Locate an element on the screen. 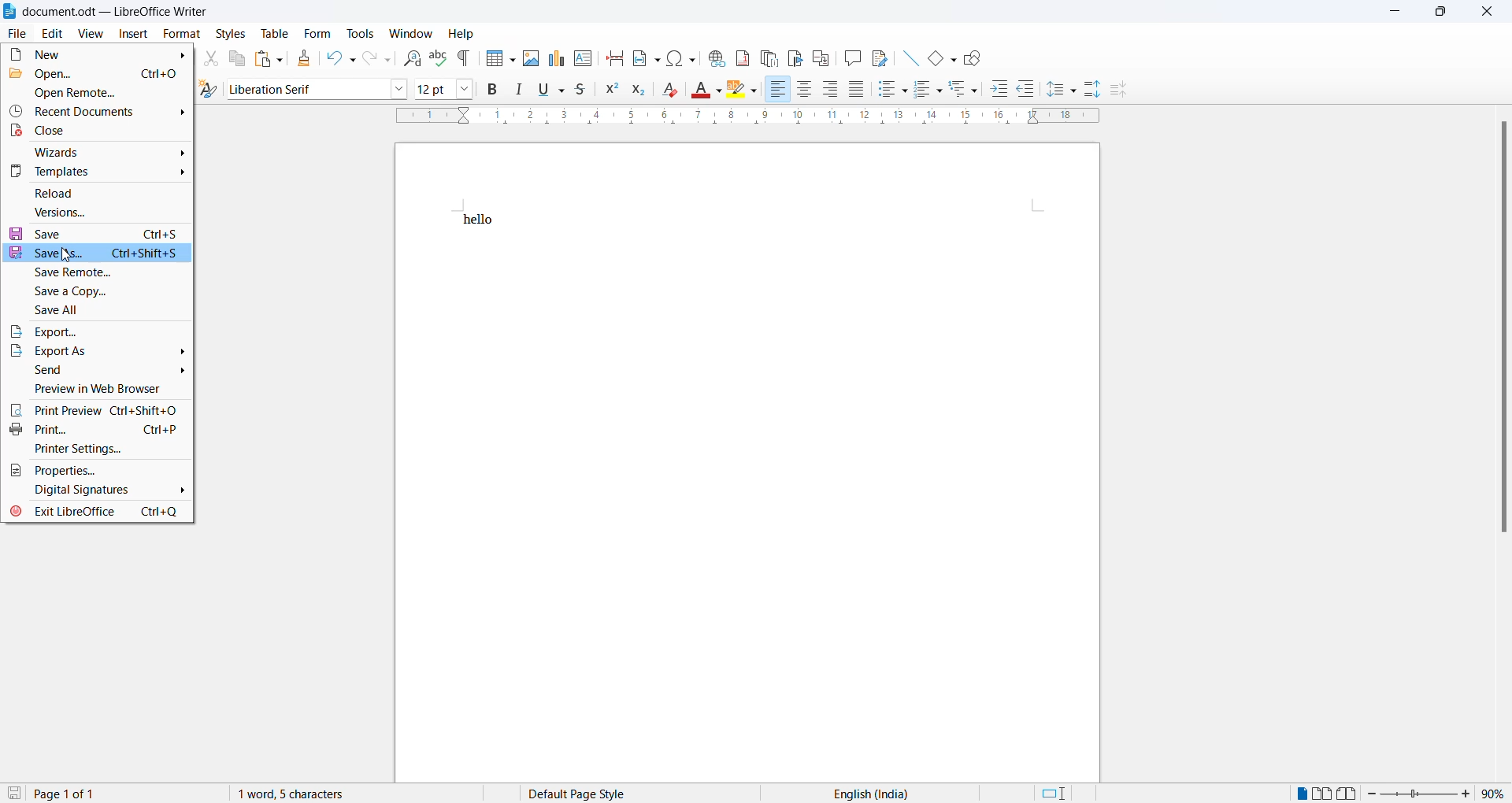 The width and height of the screenshot is (1512, 803). Show track changes function is located at coordinates (880, 58).